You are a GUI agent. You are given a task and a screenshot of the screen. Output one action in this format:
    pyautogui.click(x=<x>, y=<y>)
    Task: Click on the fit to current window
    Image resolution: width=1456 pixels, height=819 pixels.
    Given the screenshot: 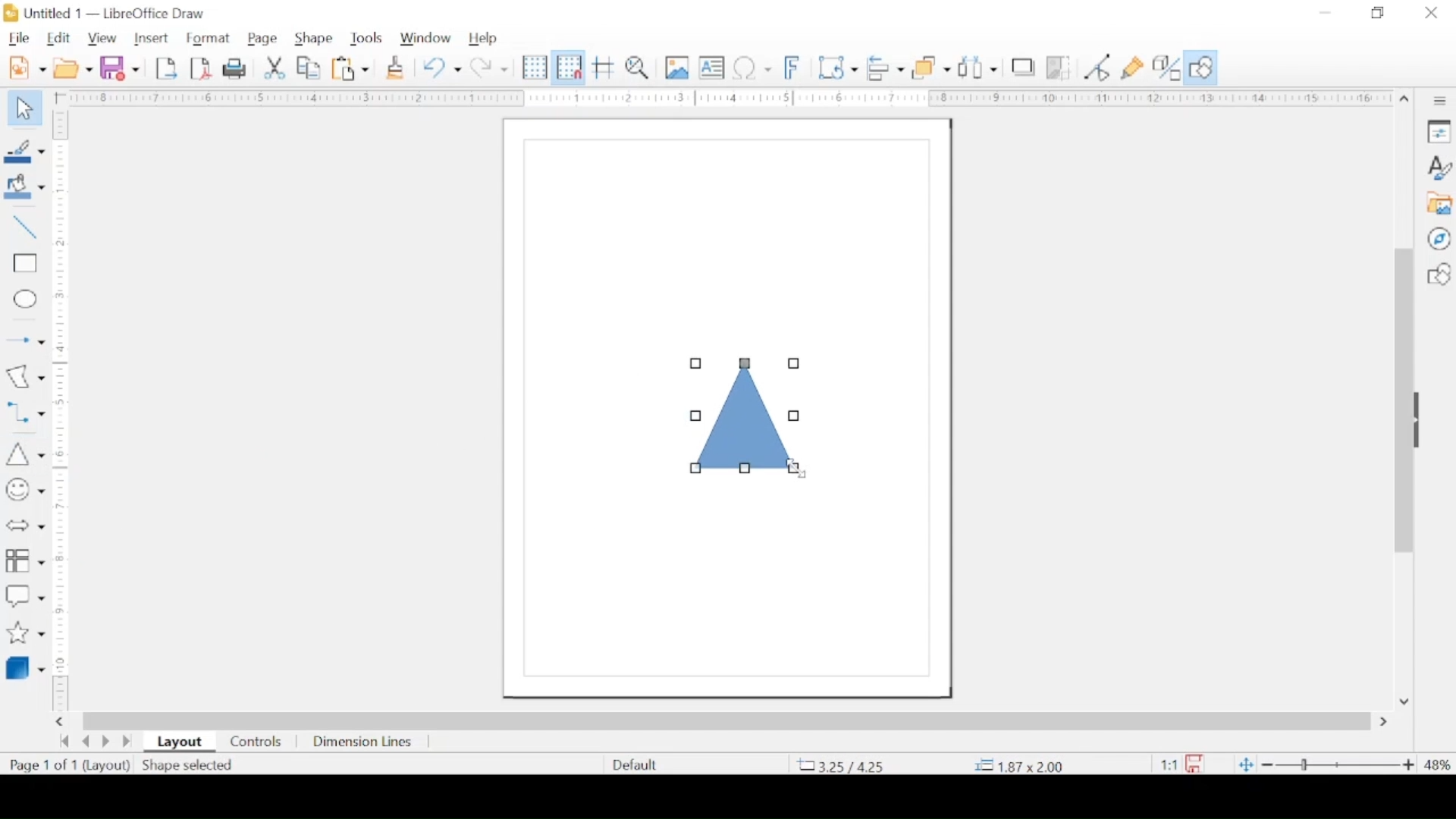 What is the action you would take?
    pyautogui.click(x=1244, y=766)
    